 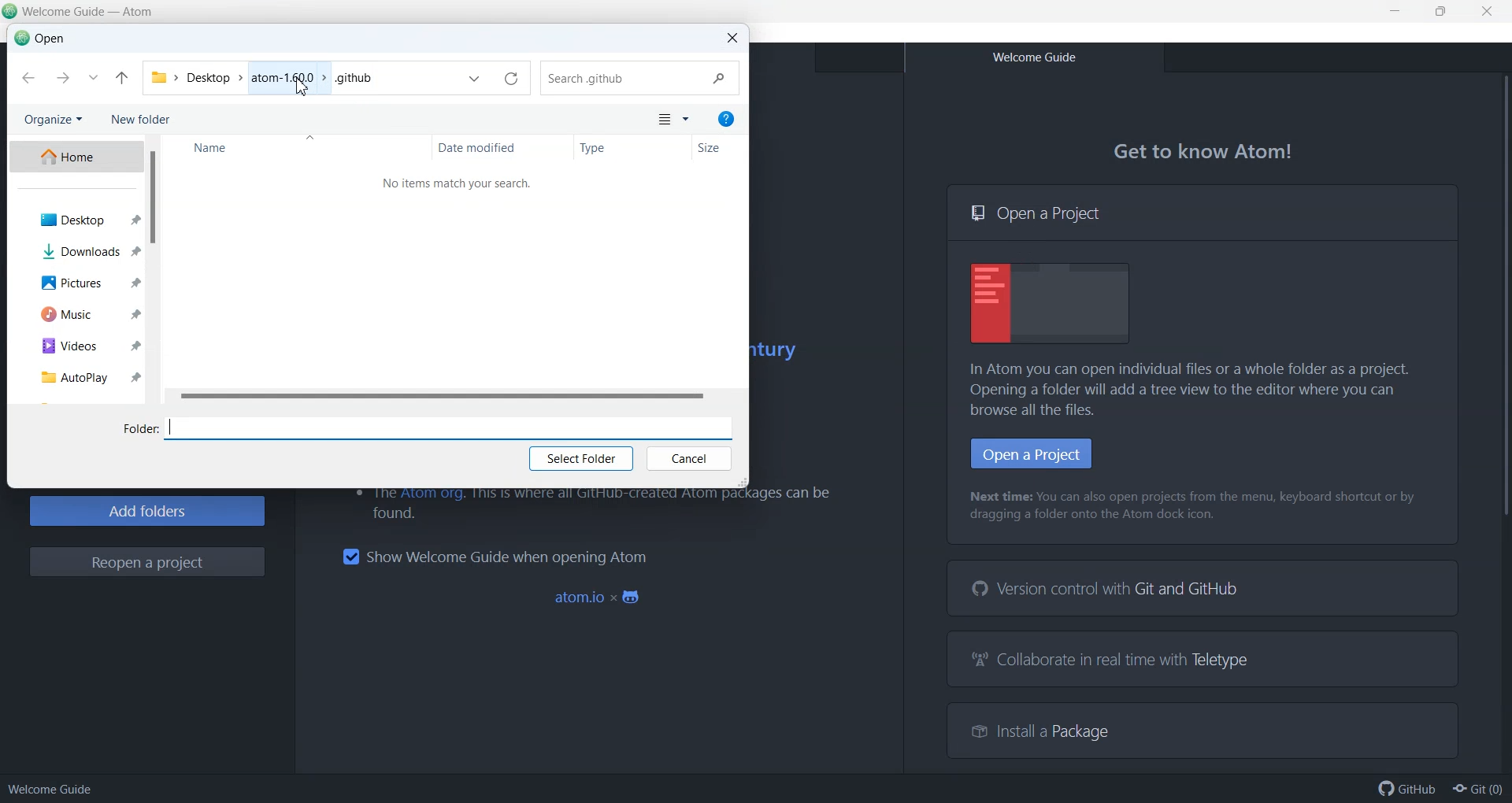 What do you see at coordinates (475, 80) in the screenshot?
I see `Previous Location` at bounding box center [475, 80].